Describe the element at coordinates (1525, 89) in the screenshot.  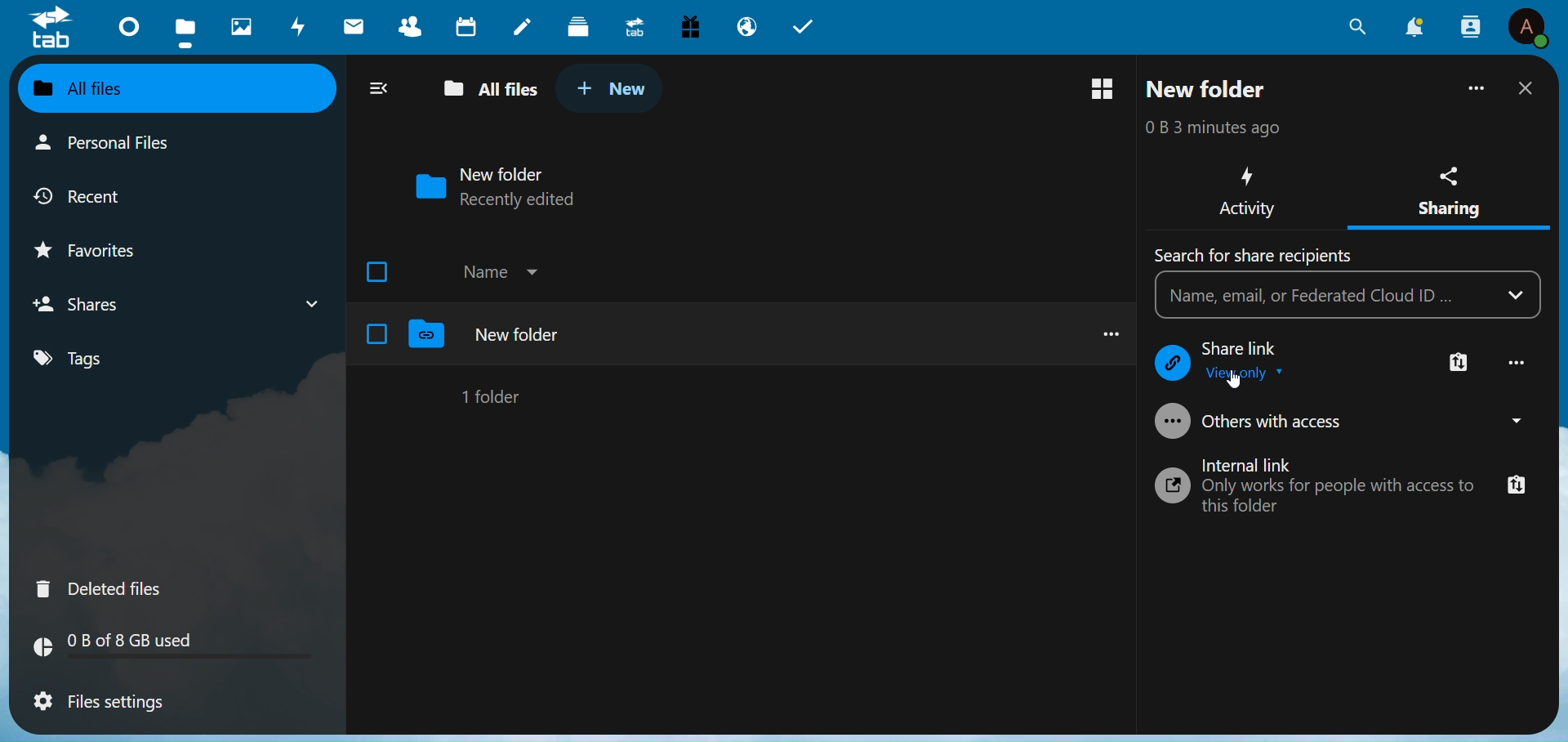
I see `Close` at that location.